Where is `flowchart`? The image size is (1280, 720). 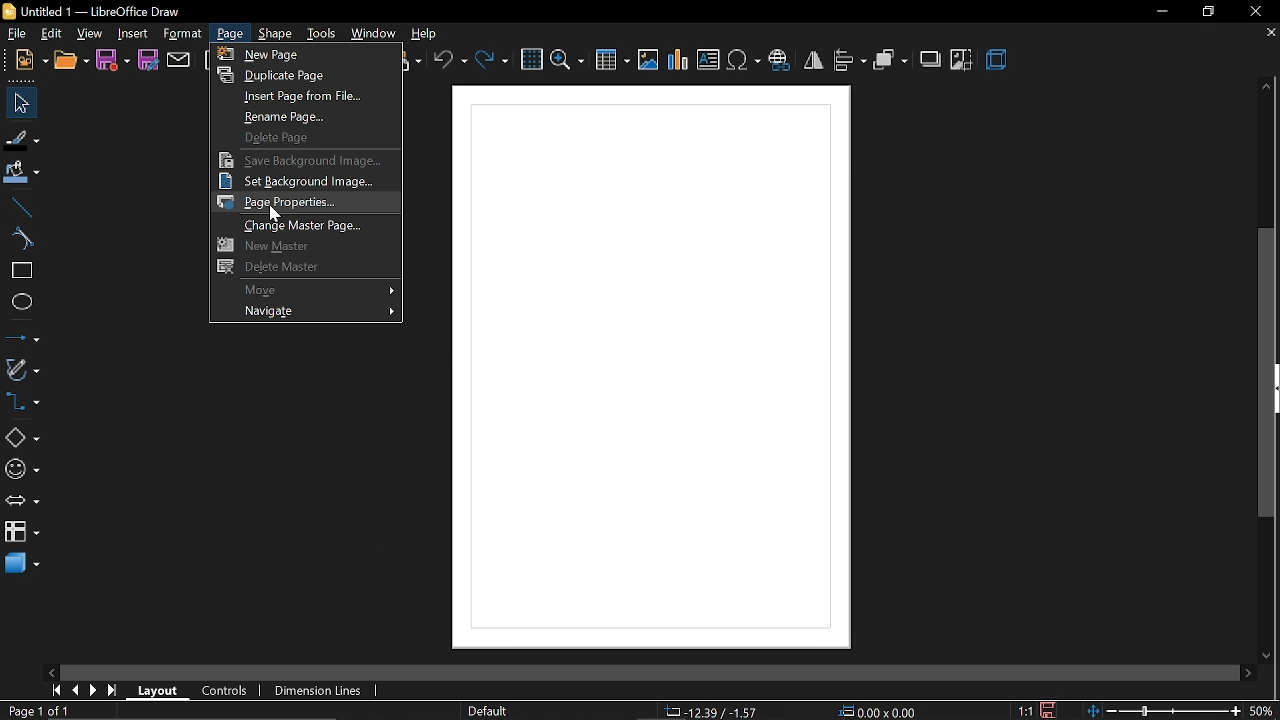 flowchart is located at coordinates (22, 530).